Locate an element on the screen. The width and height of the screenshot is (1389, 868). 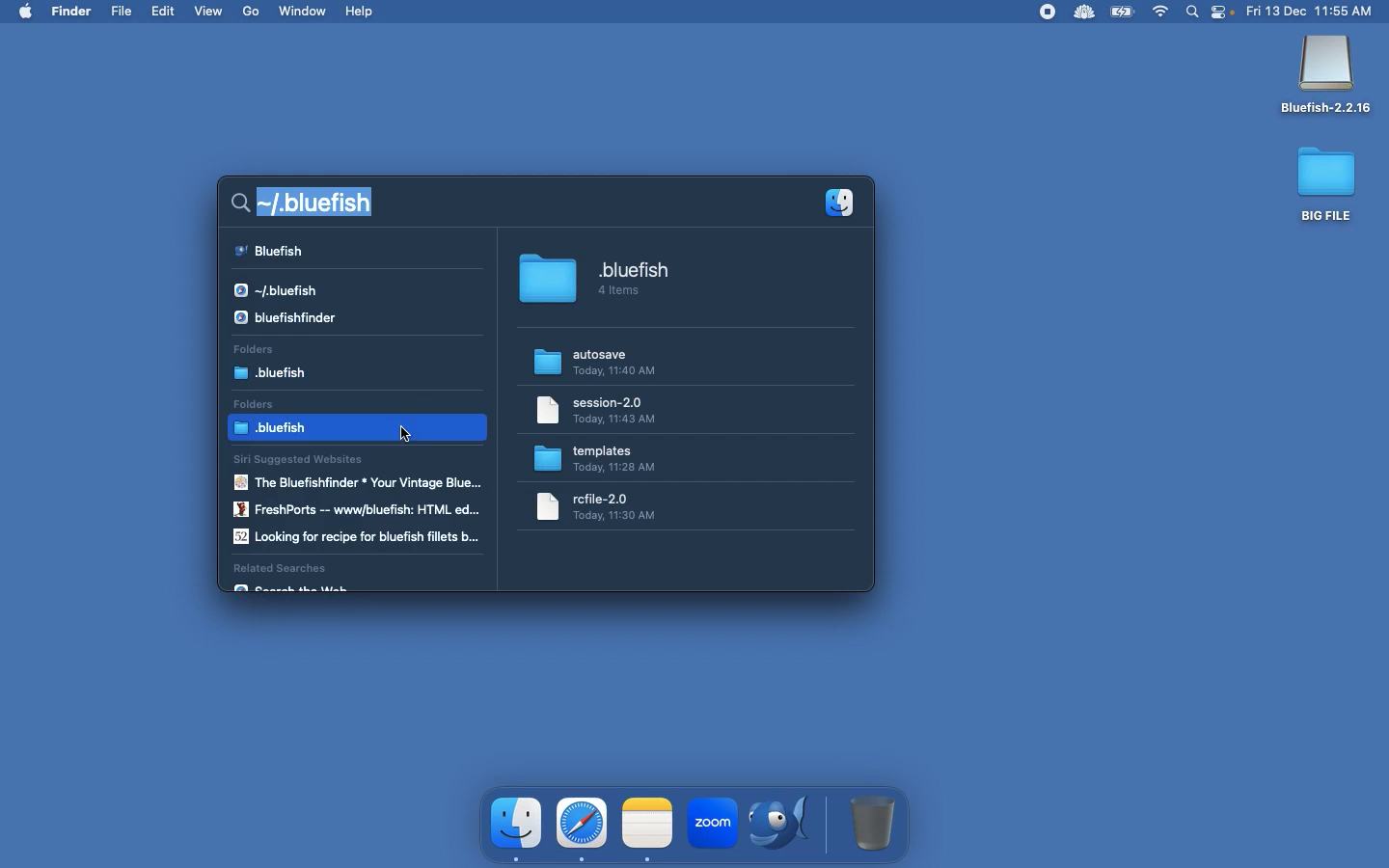
Extensions is located at coordinates (1064, 12).